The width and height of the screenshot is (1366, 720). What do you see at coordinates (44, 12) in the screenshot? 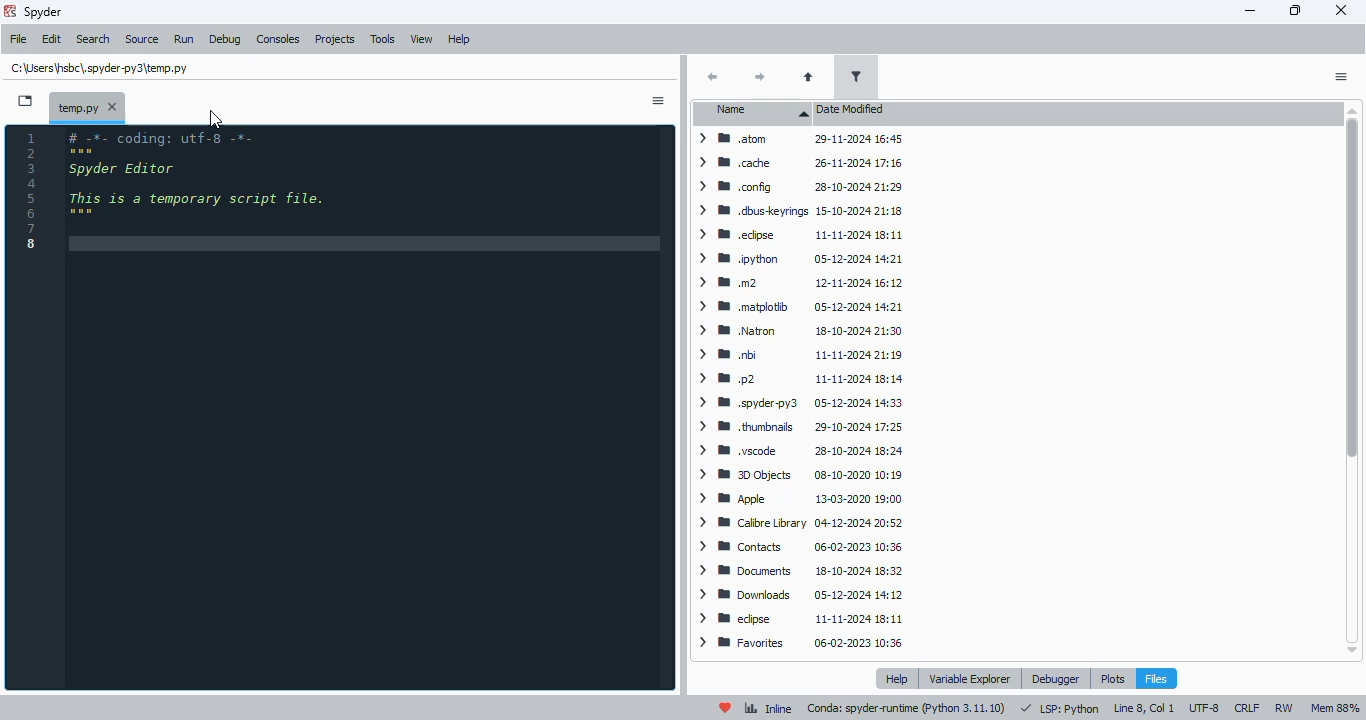
I see `spyder` at bounding box center [44, 12].